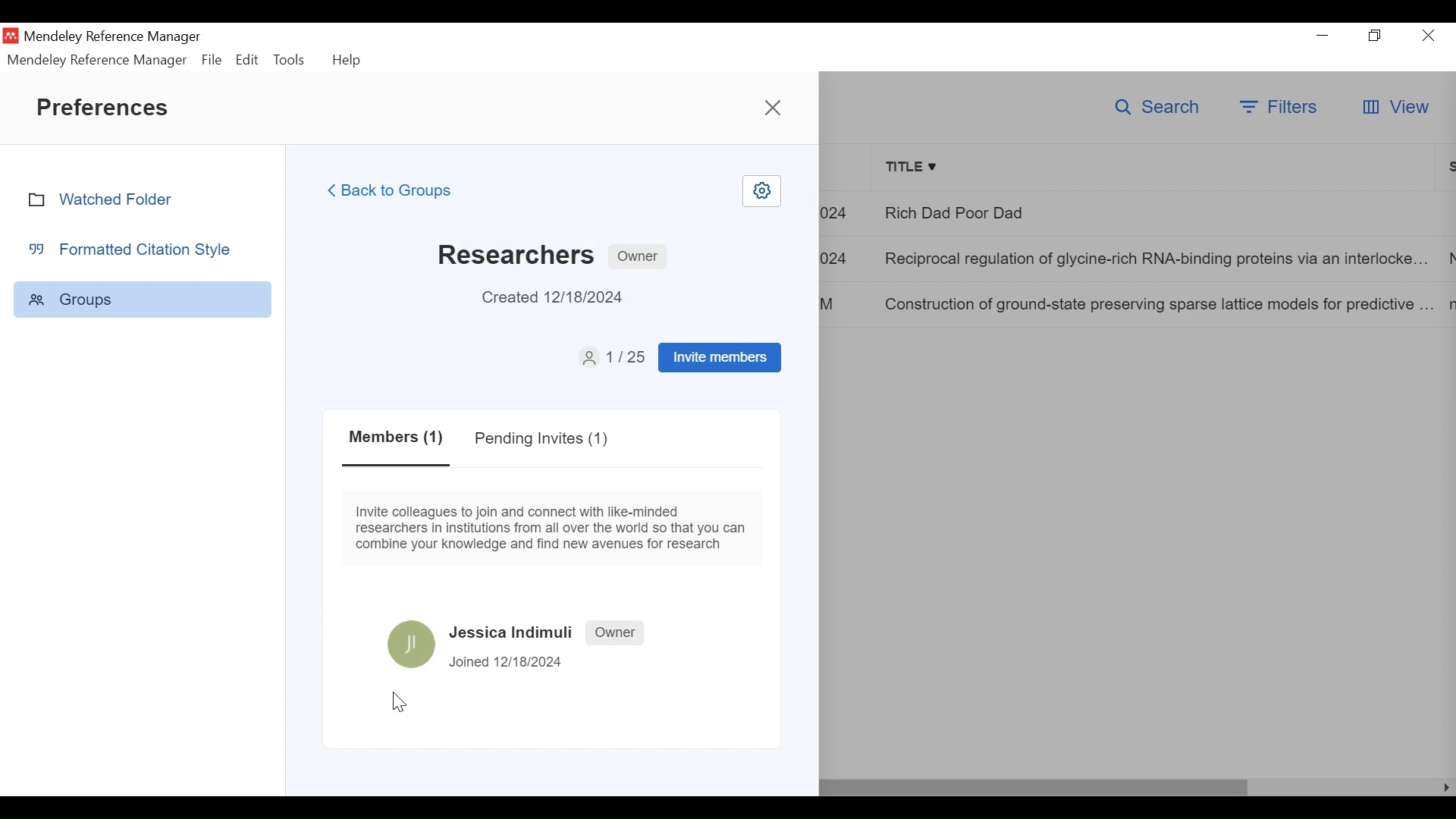 The height and width of the screenshot is (819, 1456). What do you see at coordinates (612, 356) in the screenshot?
I see `1/12` at bounding box center [612, 356].